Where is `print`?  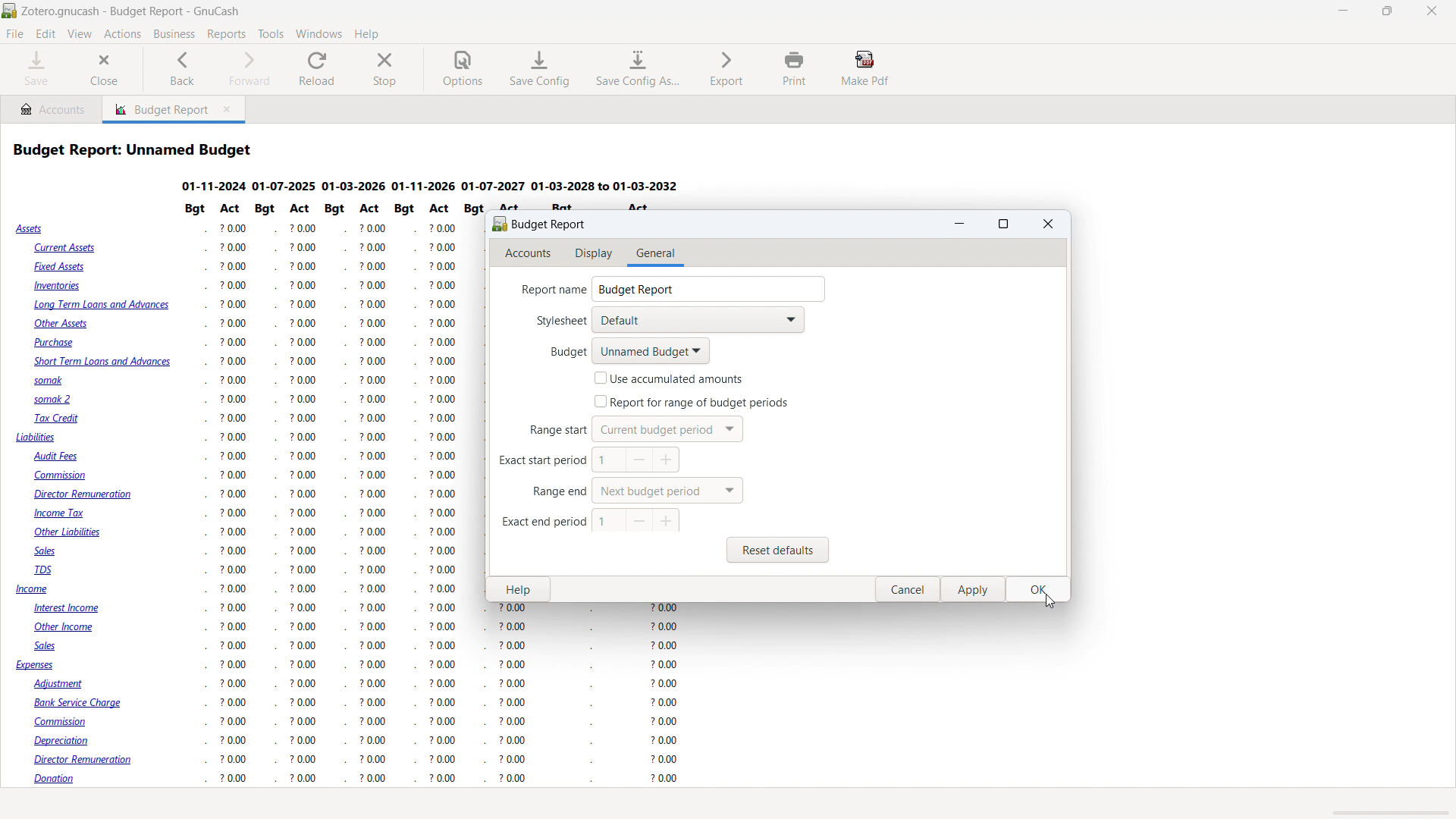
print is located at coordinates (795, 68).